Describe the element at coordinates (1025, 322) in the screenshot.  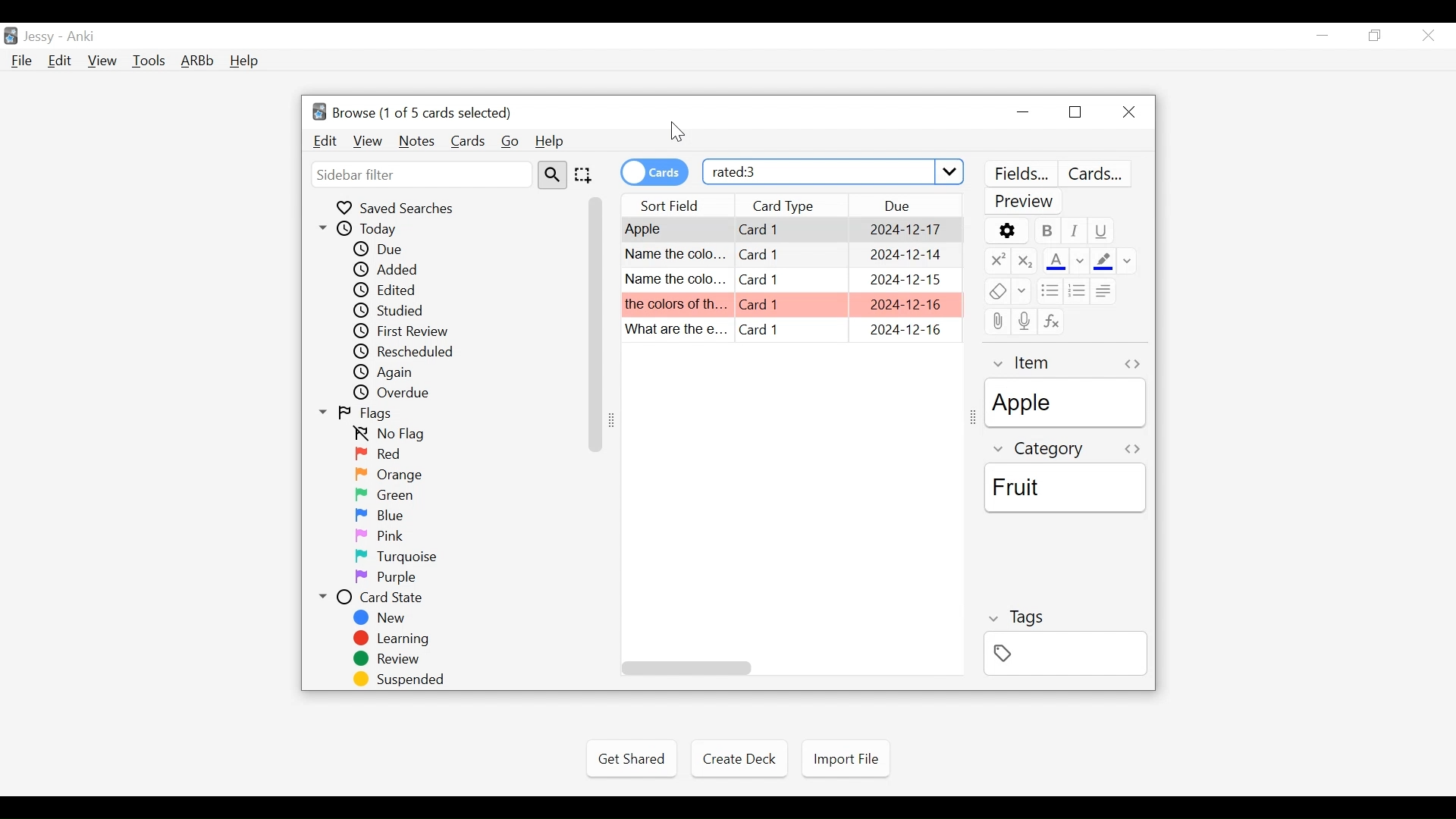
I see `Record Audio` at that location.